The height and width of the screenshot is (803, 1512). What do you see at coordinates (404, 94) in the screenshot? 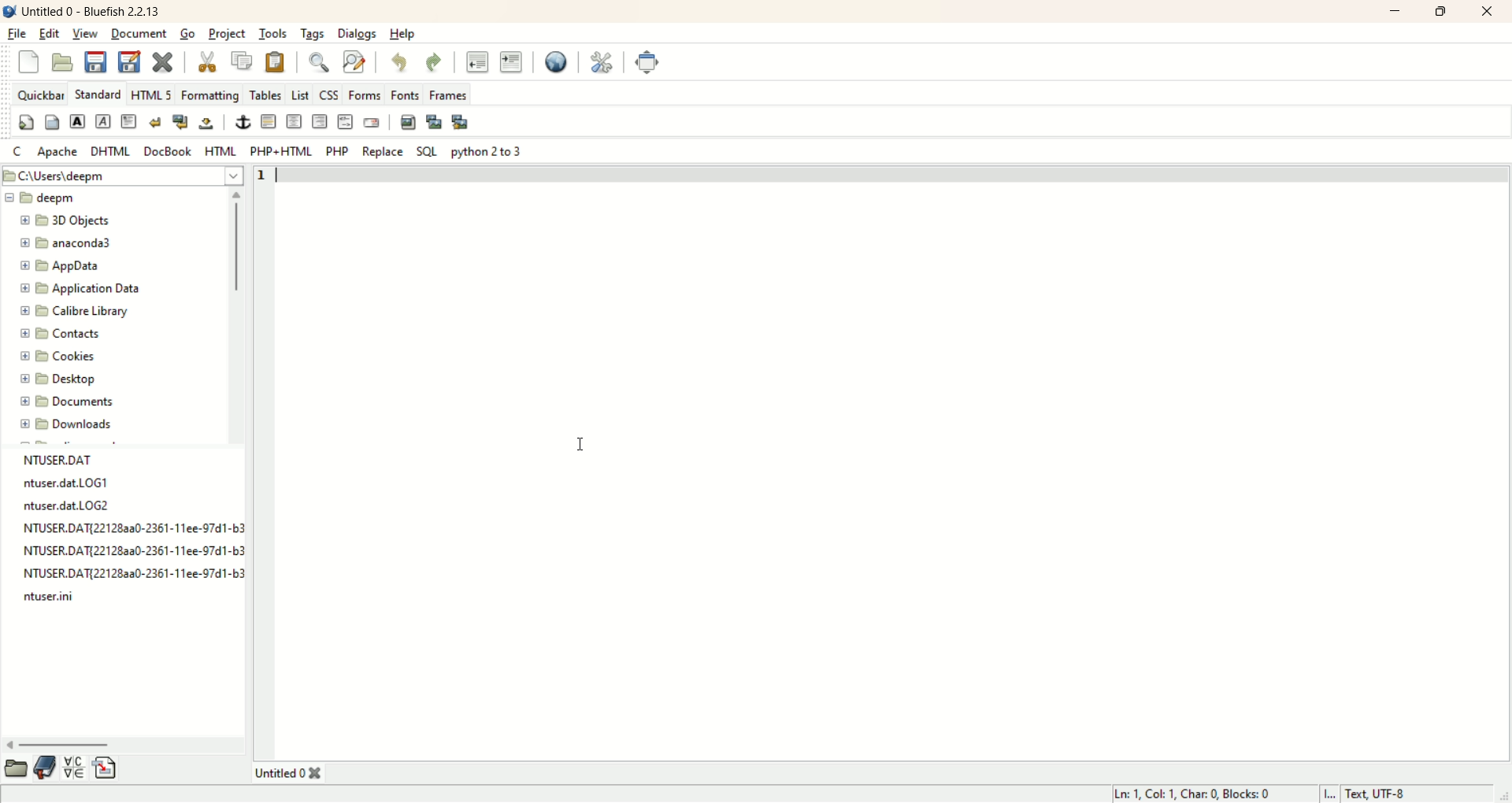
I see `fonts` at bounding box center [404, 94].